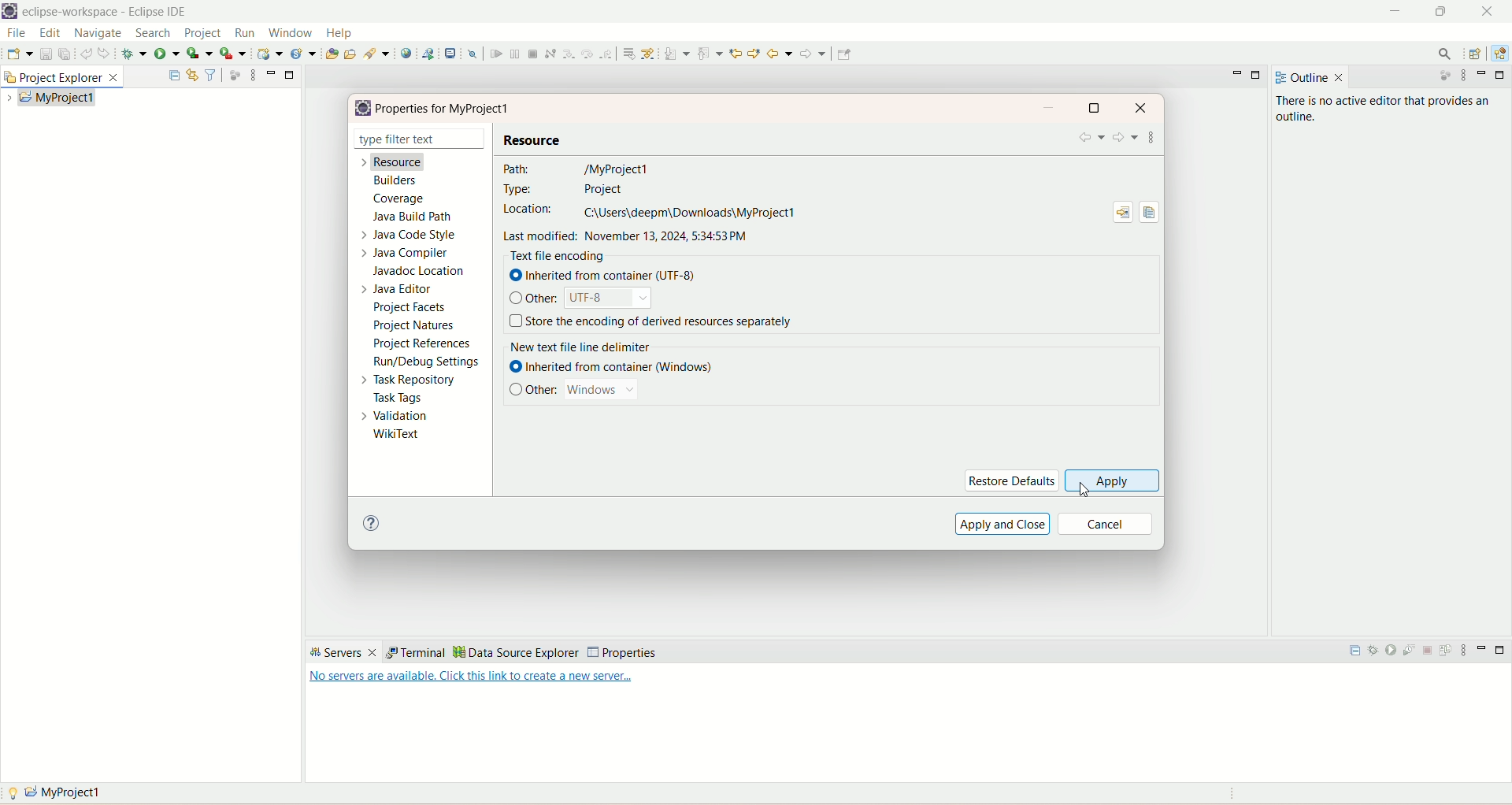 The height and width of the screenshot is (805, 1512). What do you see at coordinates (422, 139) in the screenshot?
I see `type filter text` at bounding box center [422, 139].